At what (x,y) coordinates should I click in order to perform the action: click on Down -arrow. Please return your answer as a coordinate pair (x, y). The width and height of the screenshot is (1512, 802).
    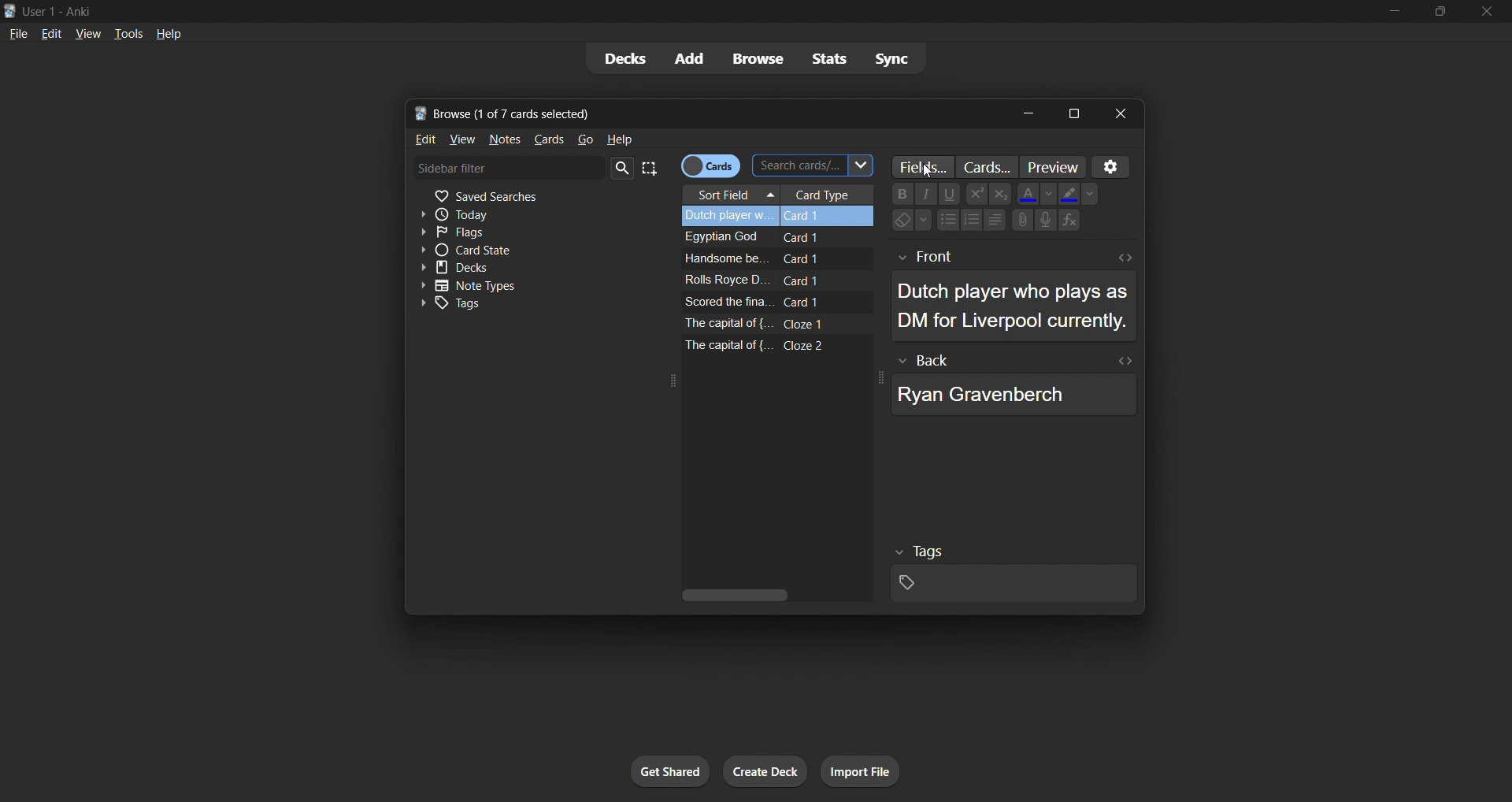
    Looking at the image, I should click on (1046, 194).